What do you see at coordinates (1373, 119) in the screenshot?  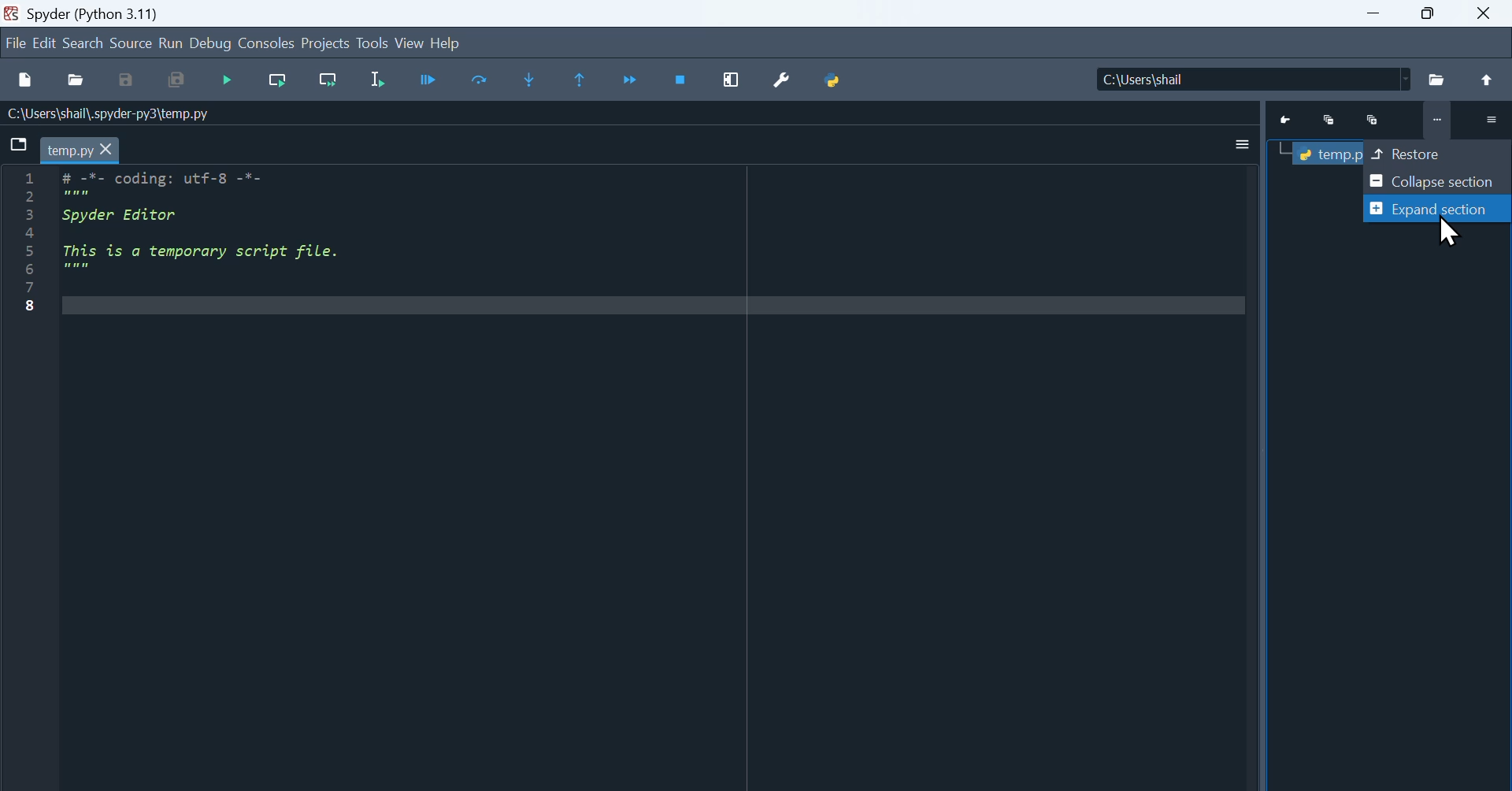 I see `Maximize` at bounding box center [1373, 119].